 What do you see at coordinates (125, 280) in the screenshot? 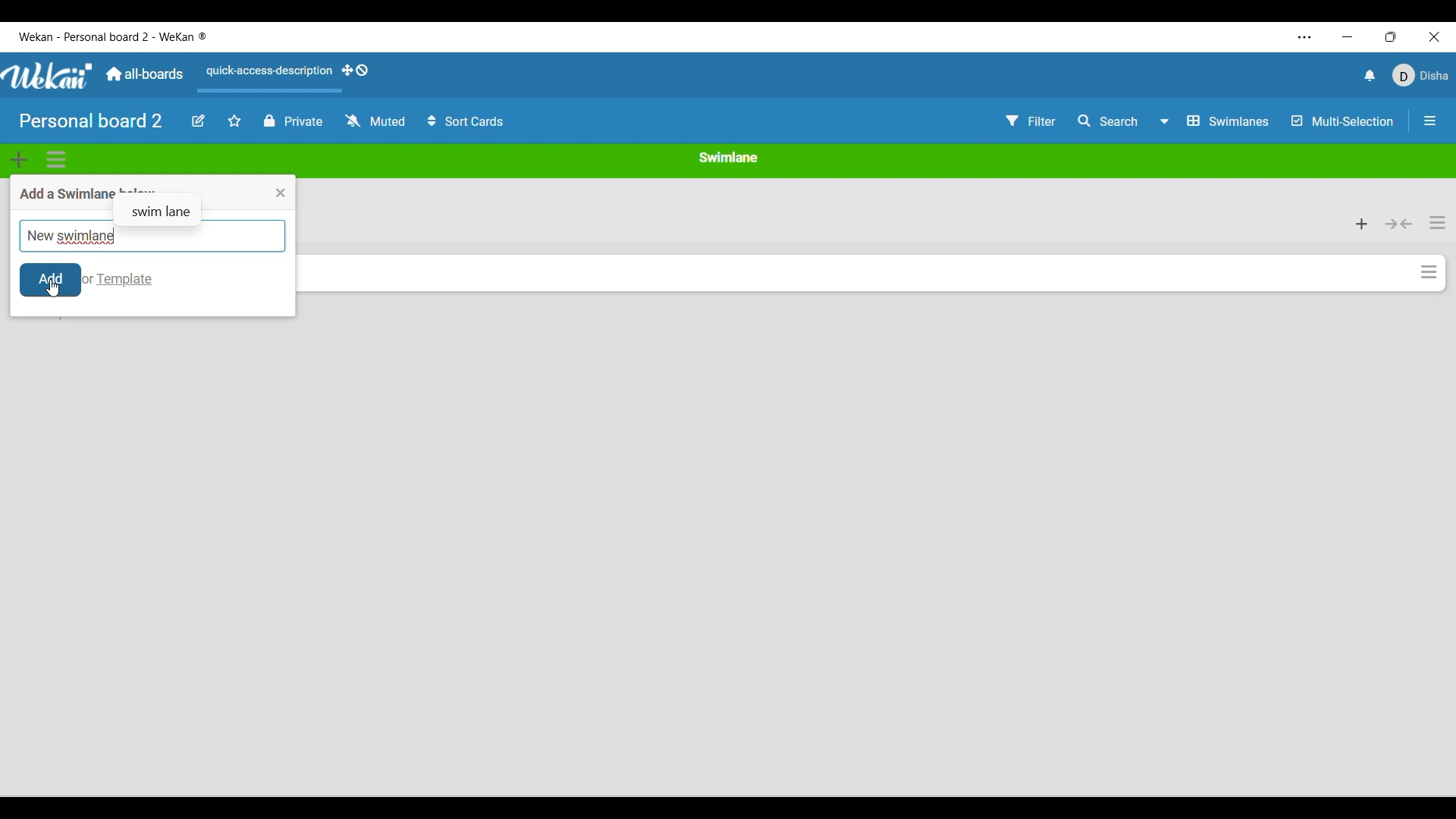
I see `Template options to choose from` at bounding box center [125, 280].